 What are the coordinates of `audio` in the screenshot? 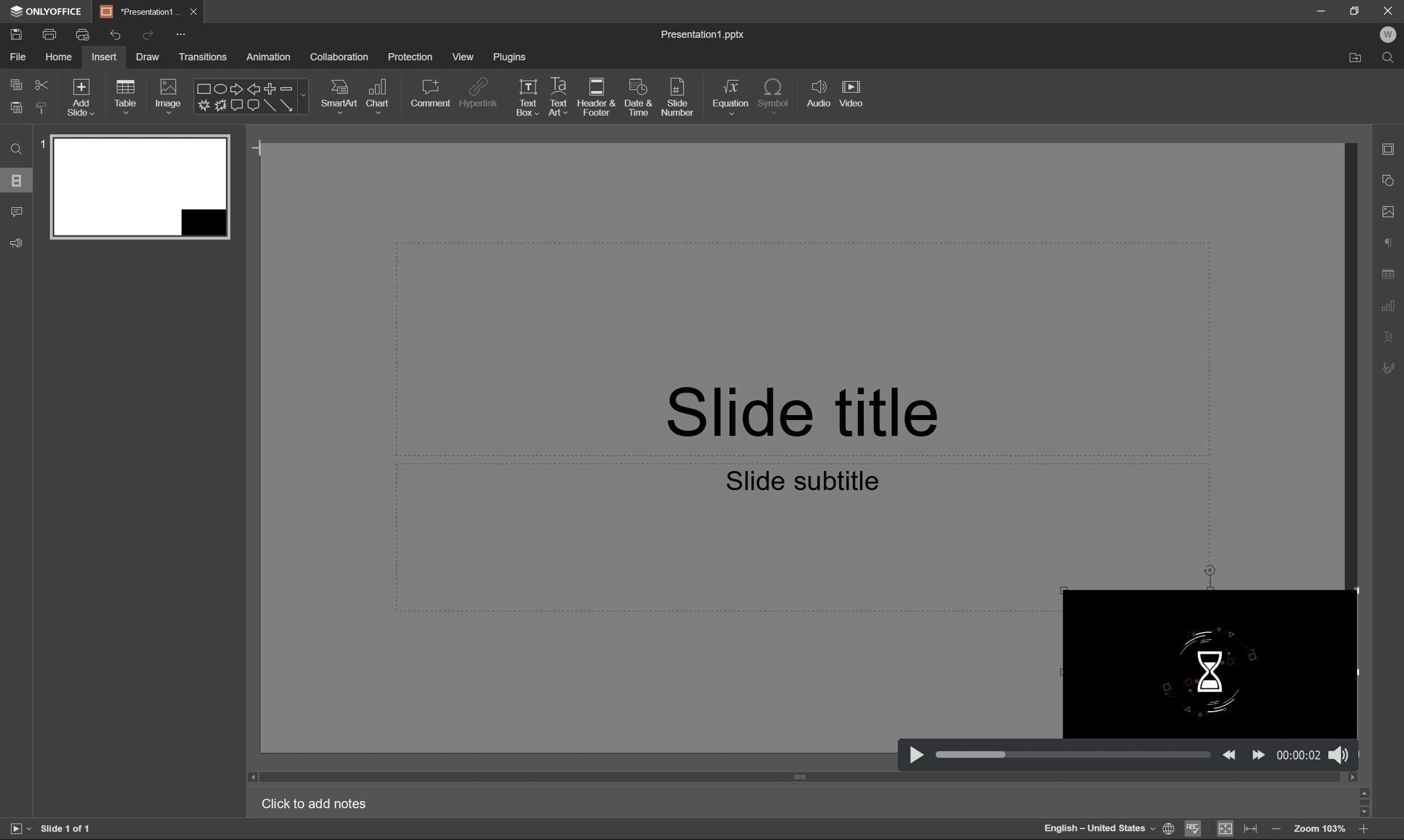 It's located at (820, 94).